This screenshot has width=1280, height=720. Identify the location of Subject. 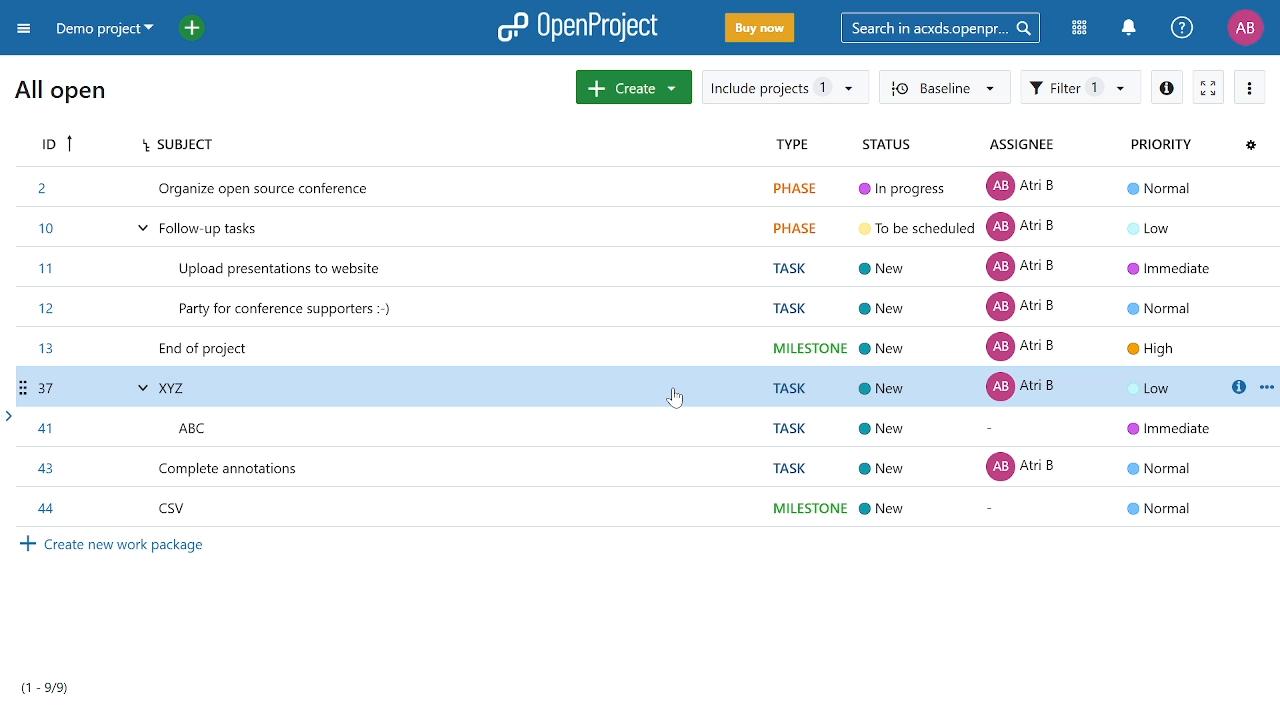
(432, 145).